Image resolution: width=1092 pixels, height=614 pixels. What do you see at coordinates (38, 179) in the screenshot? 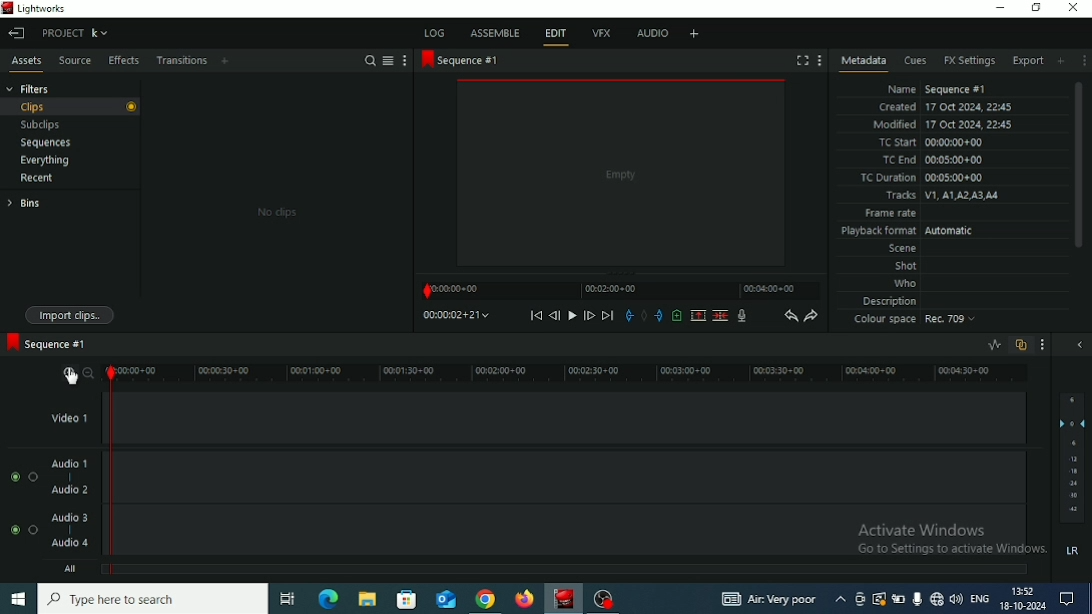
I see `Recent` at bounding box center [38, 179].